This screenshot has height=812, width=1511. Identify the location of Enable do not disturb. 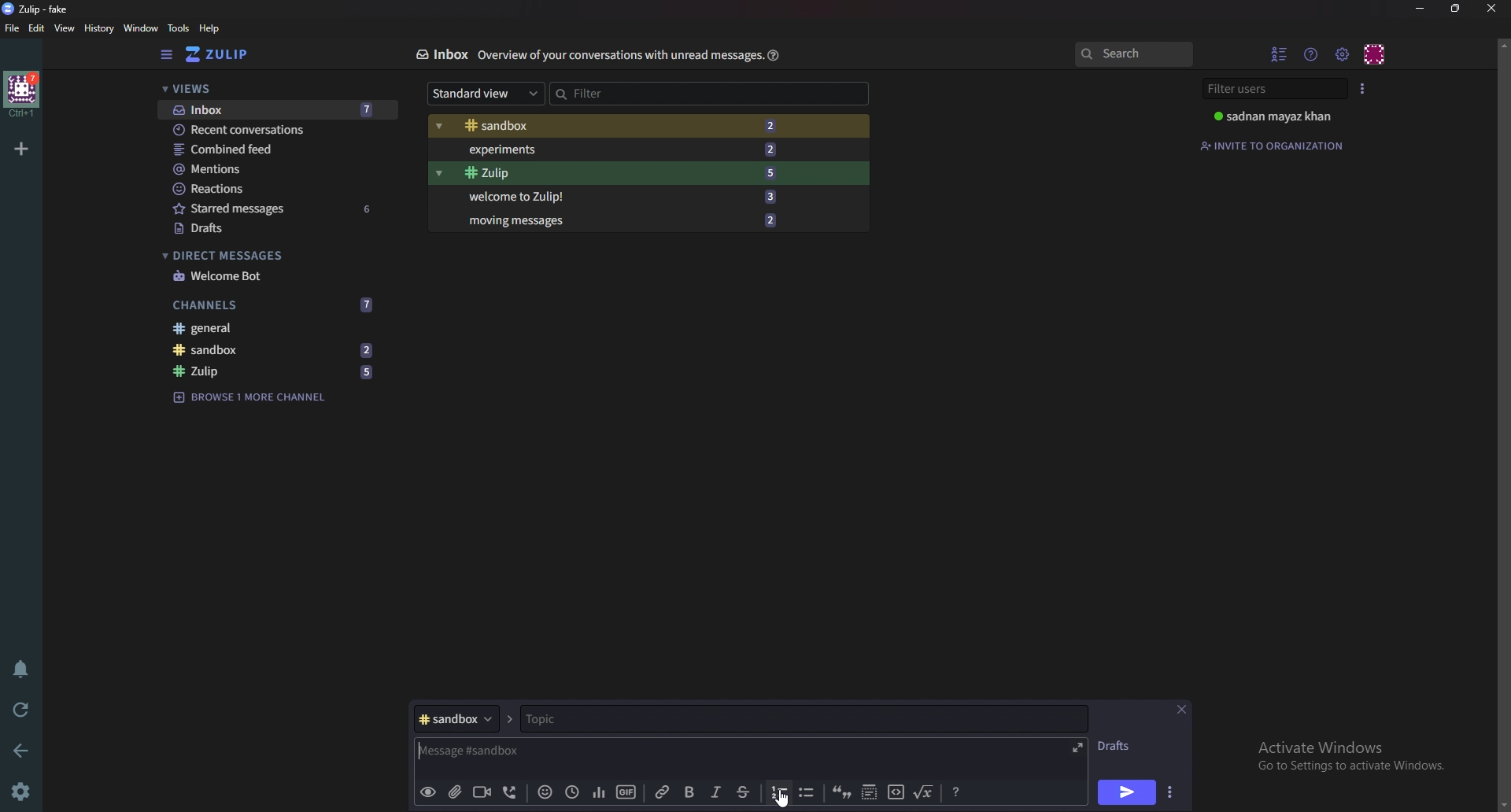
(19, 670).